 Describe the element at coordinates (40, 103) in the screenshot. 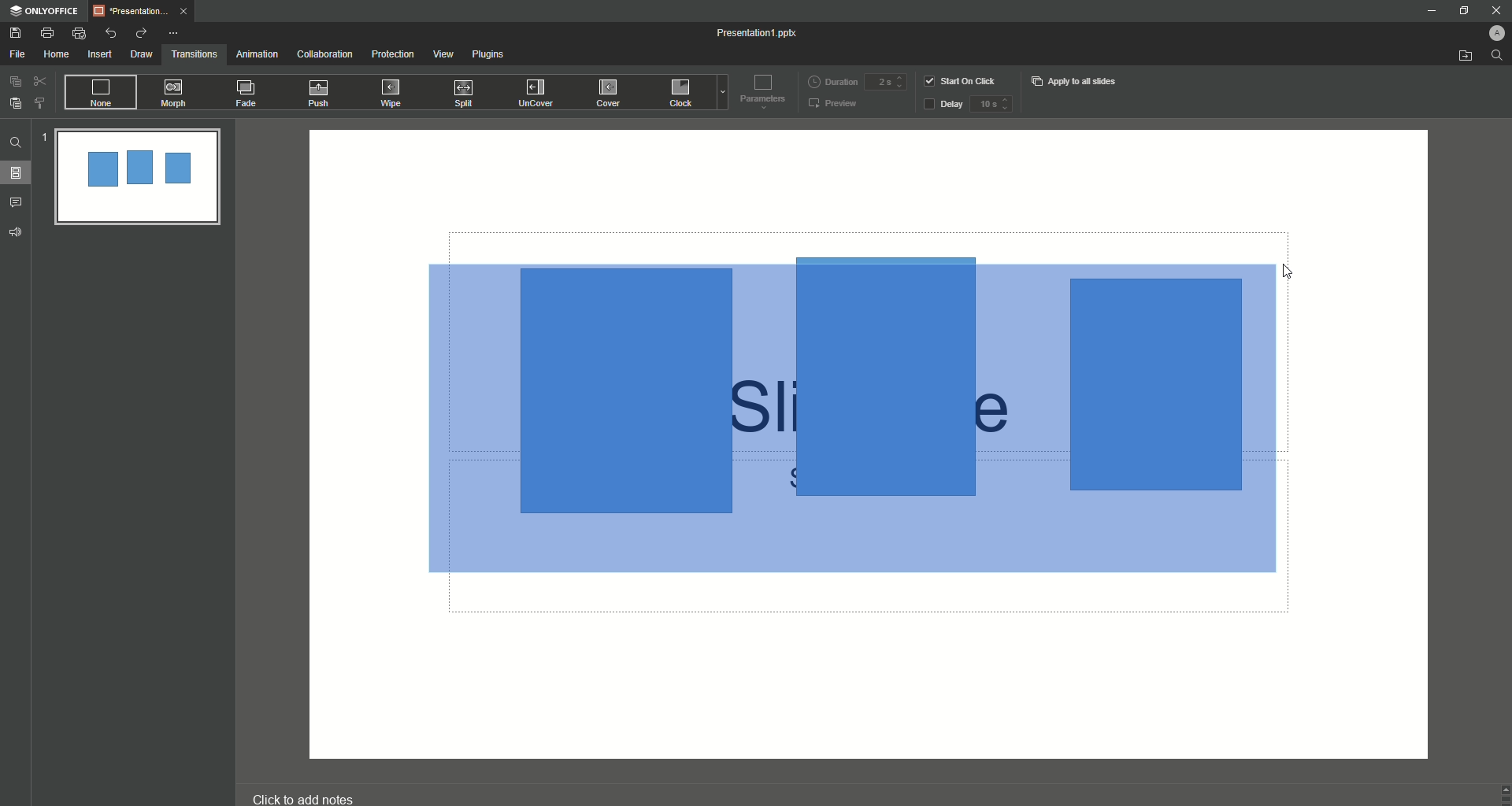

I see `Choose Style` at that location.